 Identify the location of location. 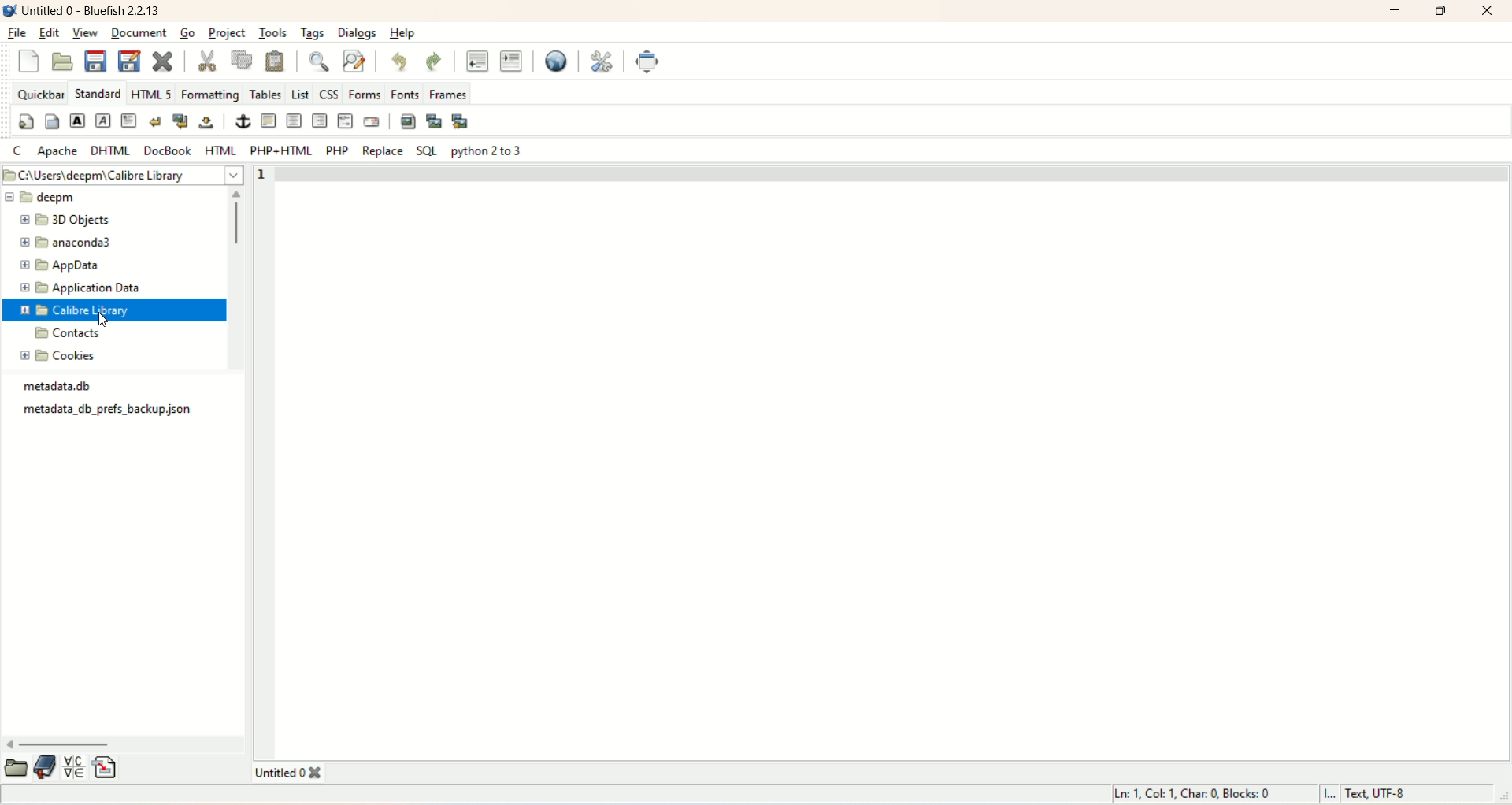
(124, 175).